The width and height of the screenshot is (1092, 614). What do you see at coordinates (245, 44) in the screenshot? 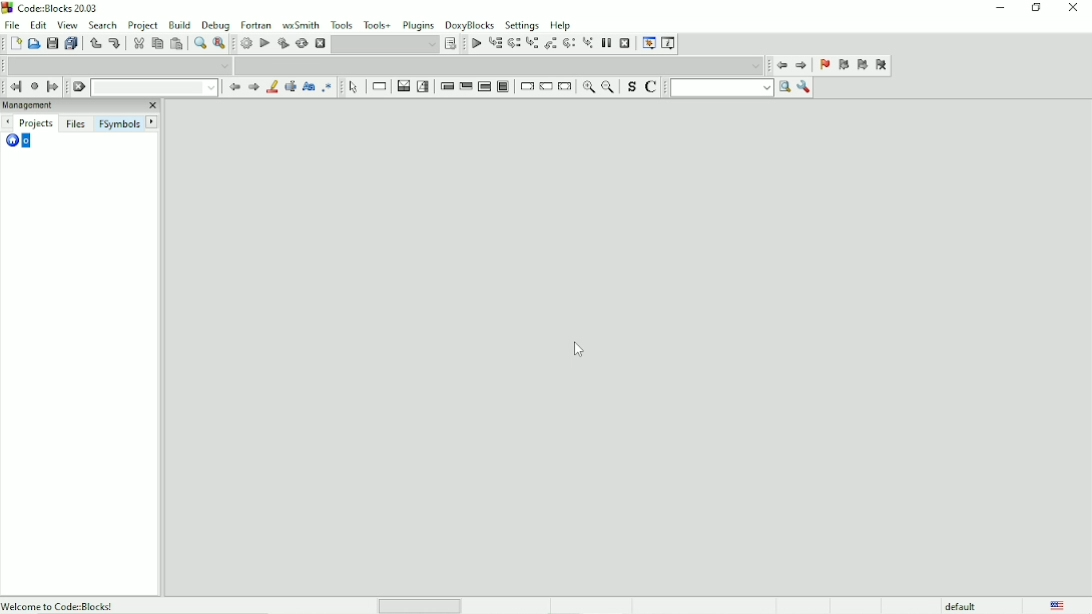
I see `Build` at bounding box center [245, 44].